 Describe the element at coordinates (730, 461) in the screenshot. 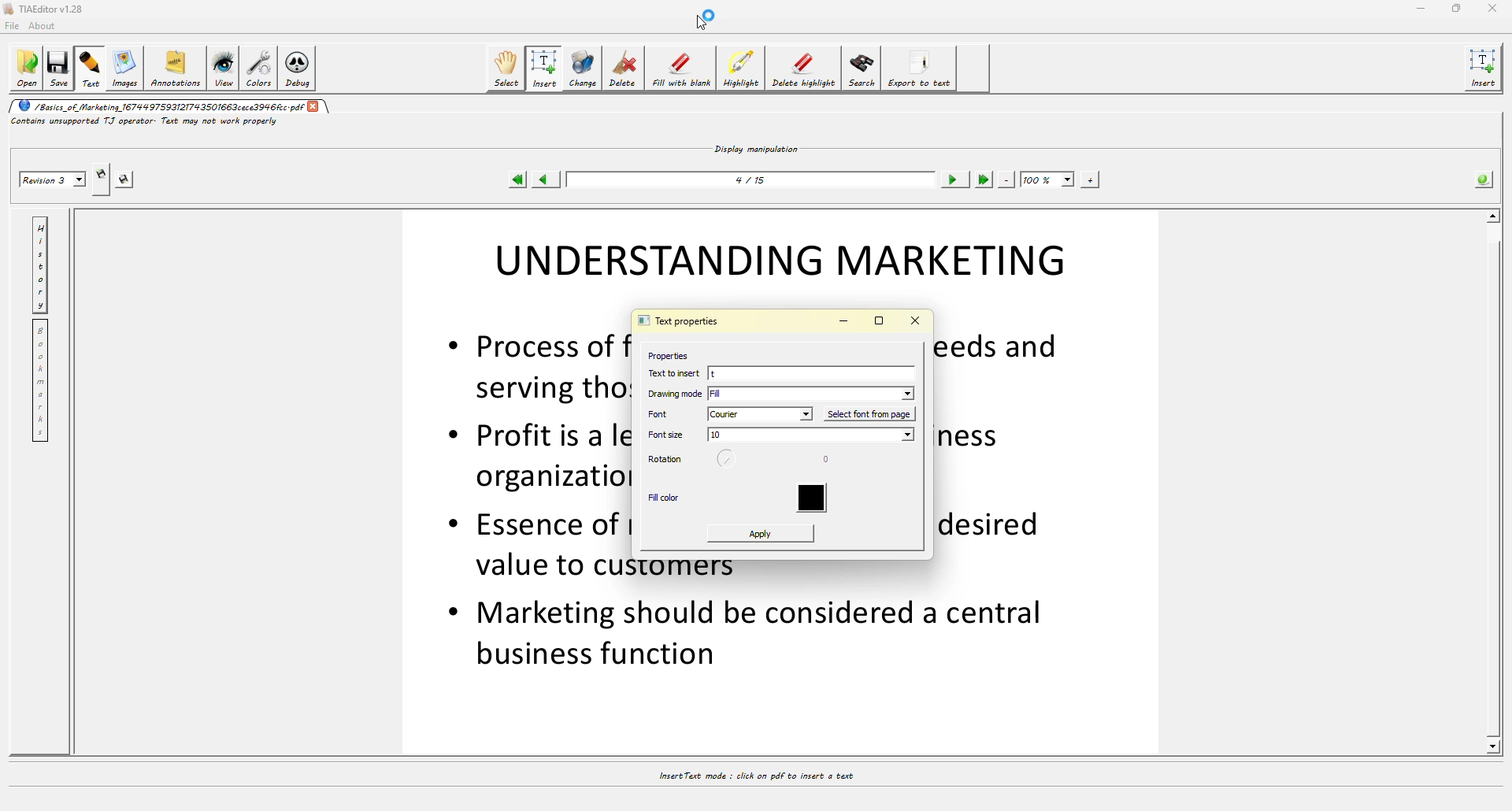

I see `rotaion` at that location.